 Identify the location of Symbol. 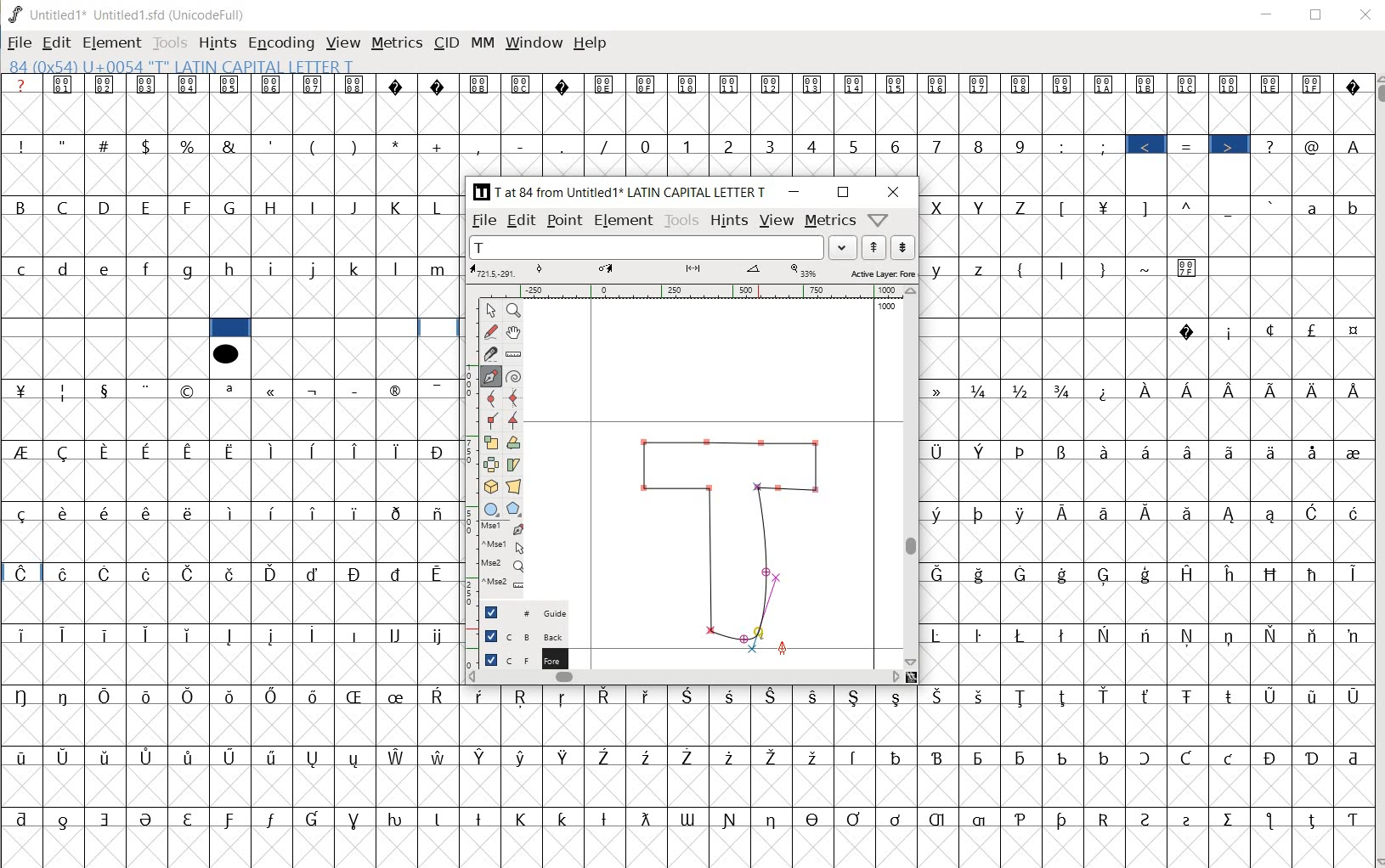
(399, 85).